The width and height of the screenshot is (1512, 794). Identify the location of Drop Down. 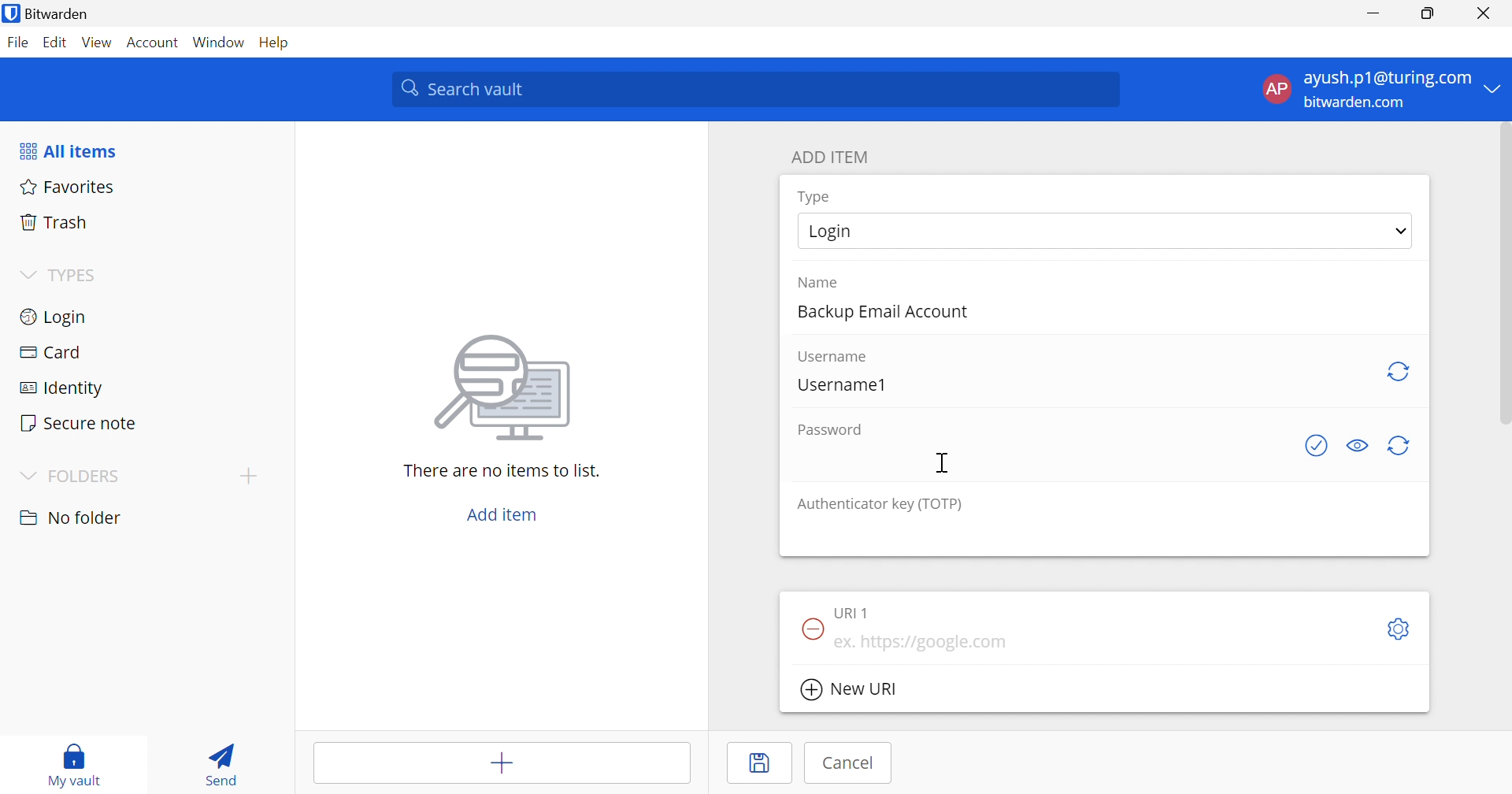
(1497, 89).